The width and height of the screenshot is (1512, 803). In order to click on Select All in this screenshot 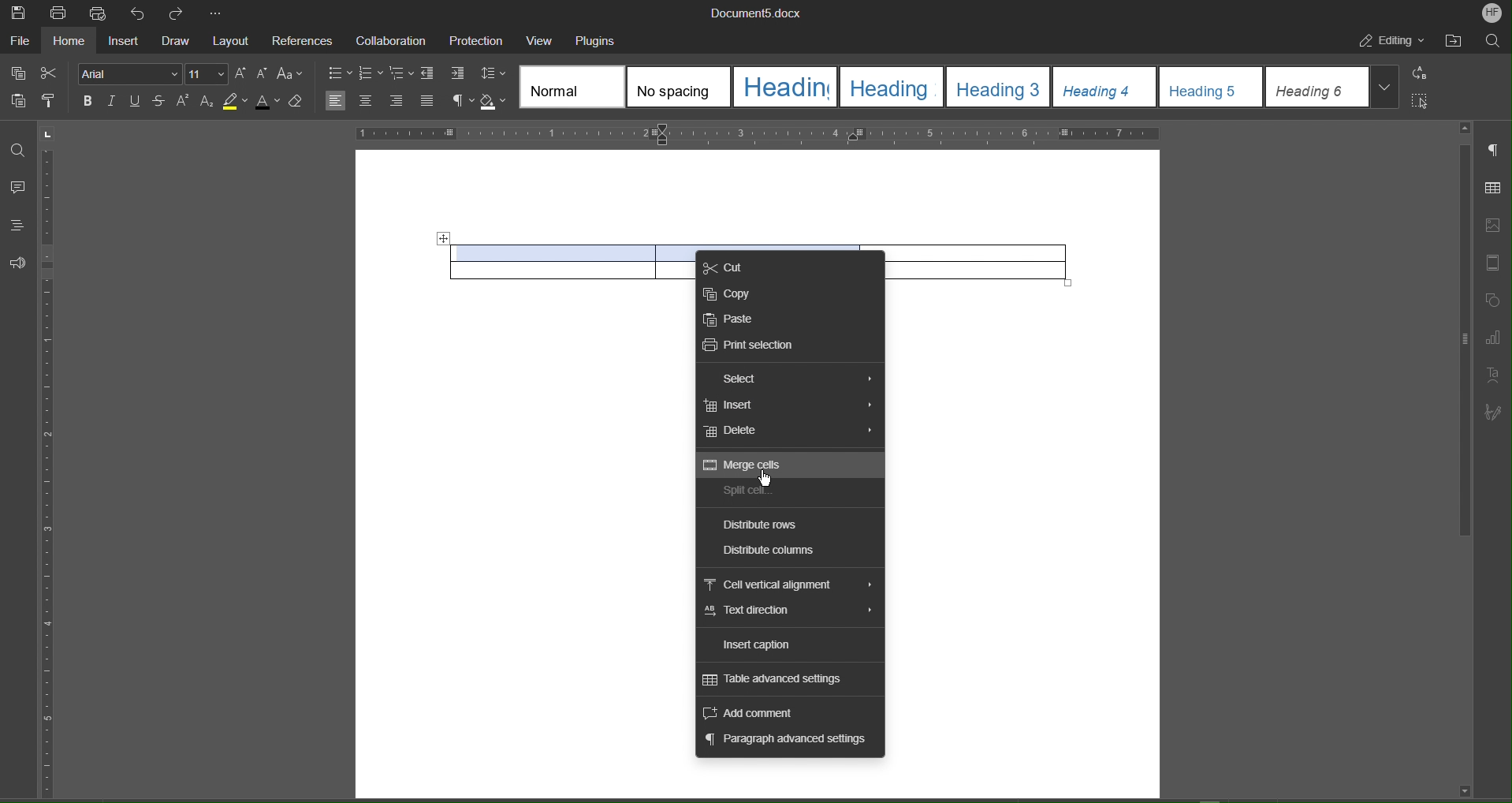, I will do `click(1424, 101)`.